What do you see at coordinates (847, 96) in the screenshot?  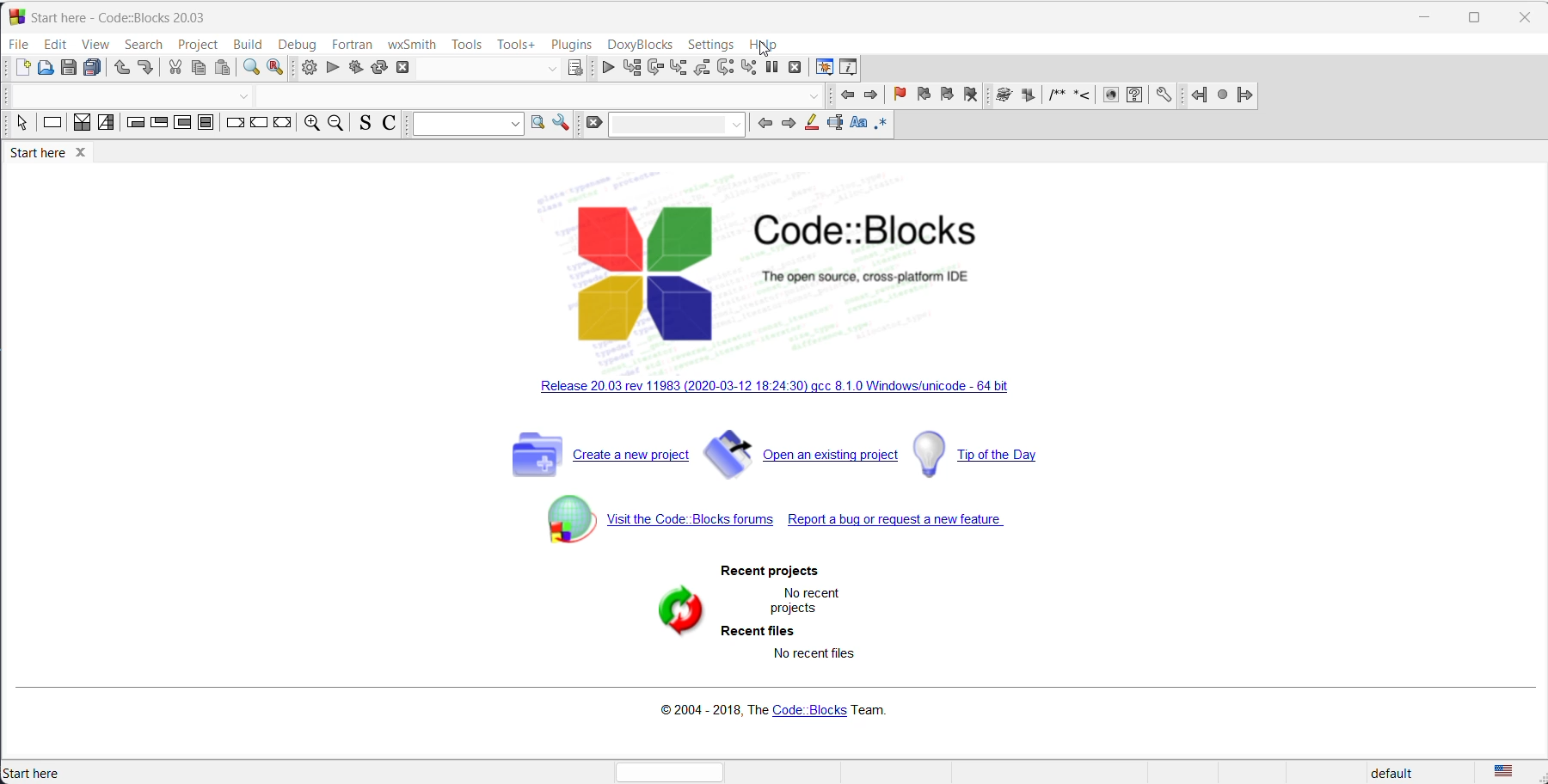 I see `previous` at bounding box center [847, 96].